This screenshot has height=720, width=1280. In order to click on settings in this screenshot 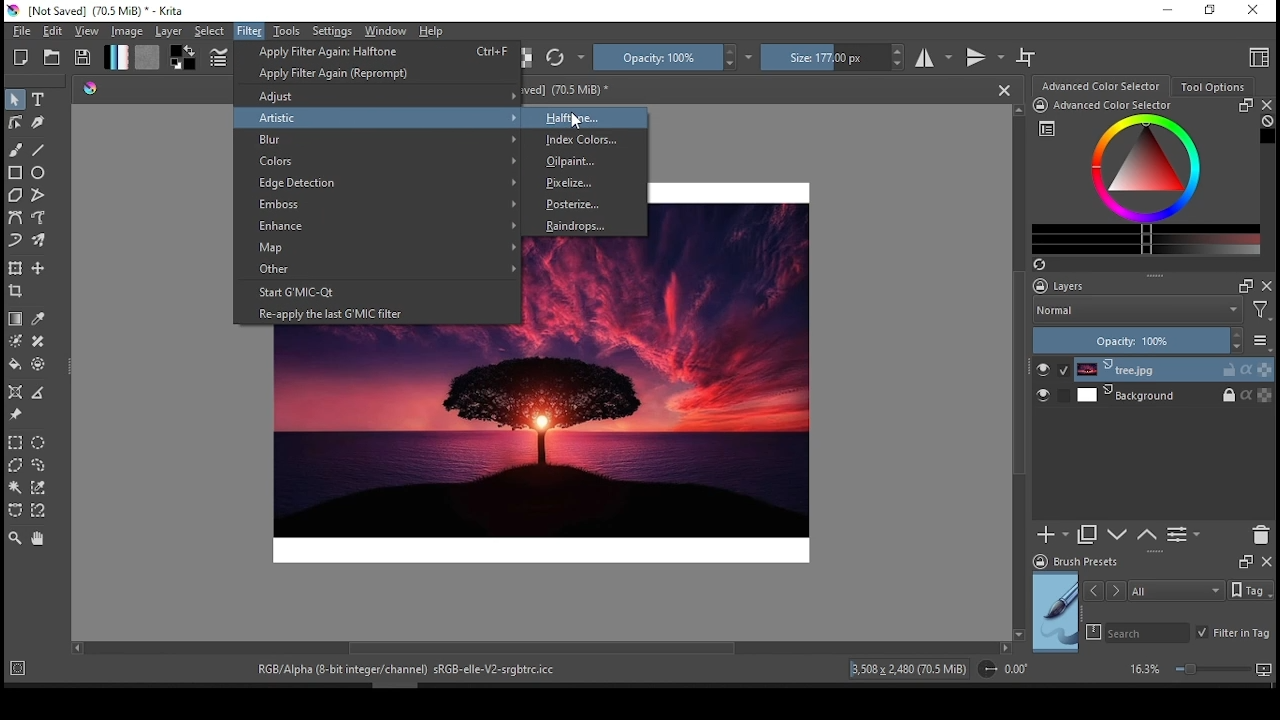, I will do `click(332, 32)`.